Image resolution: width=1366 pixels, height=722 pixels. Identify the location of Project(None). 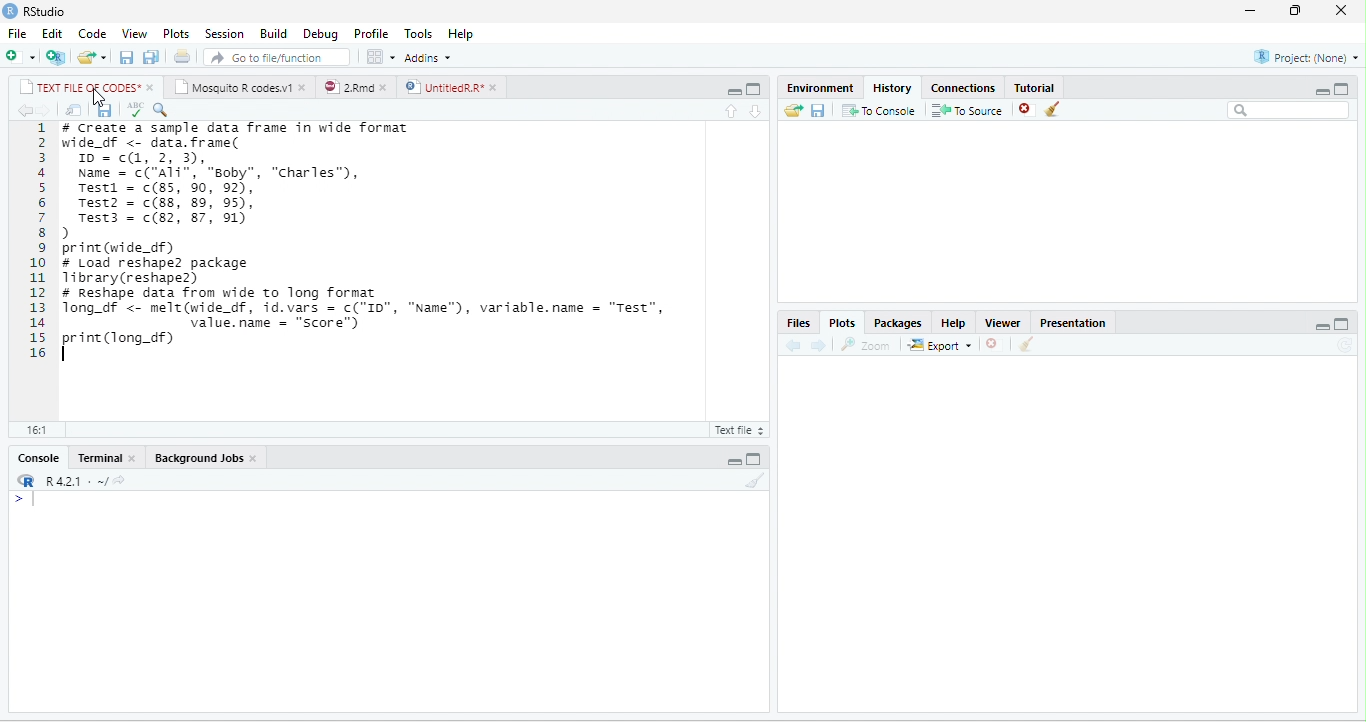
(1306, 57).